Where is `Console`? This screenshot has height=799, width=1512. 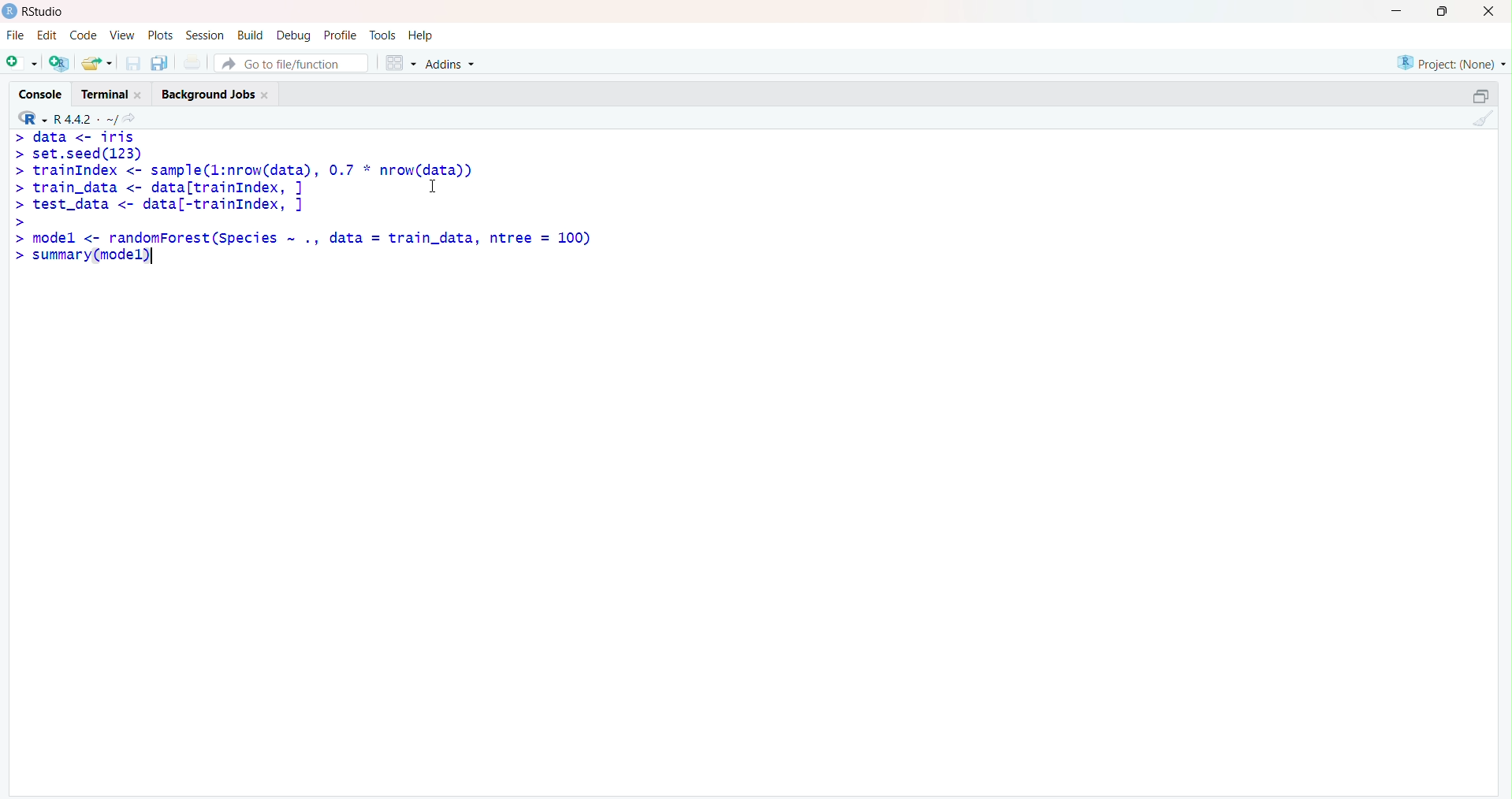
Console is located at coordinates (43, 91).